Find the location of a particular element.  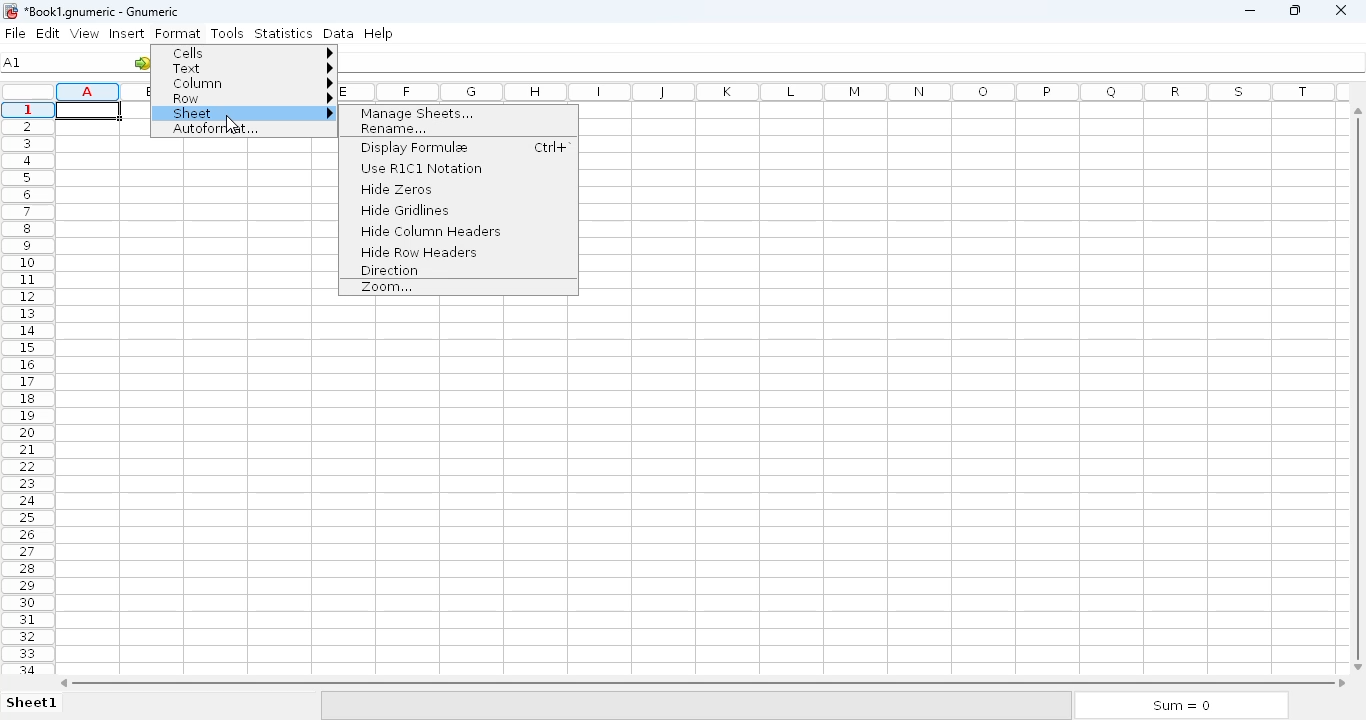

Sum = 0 is located at coordinates (1176, 706).